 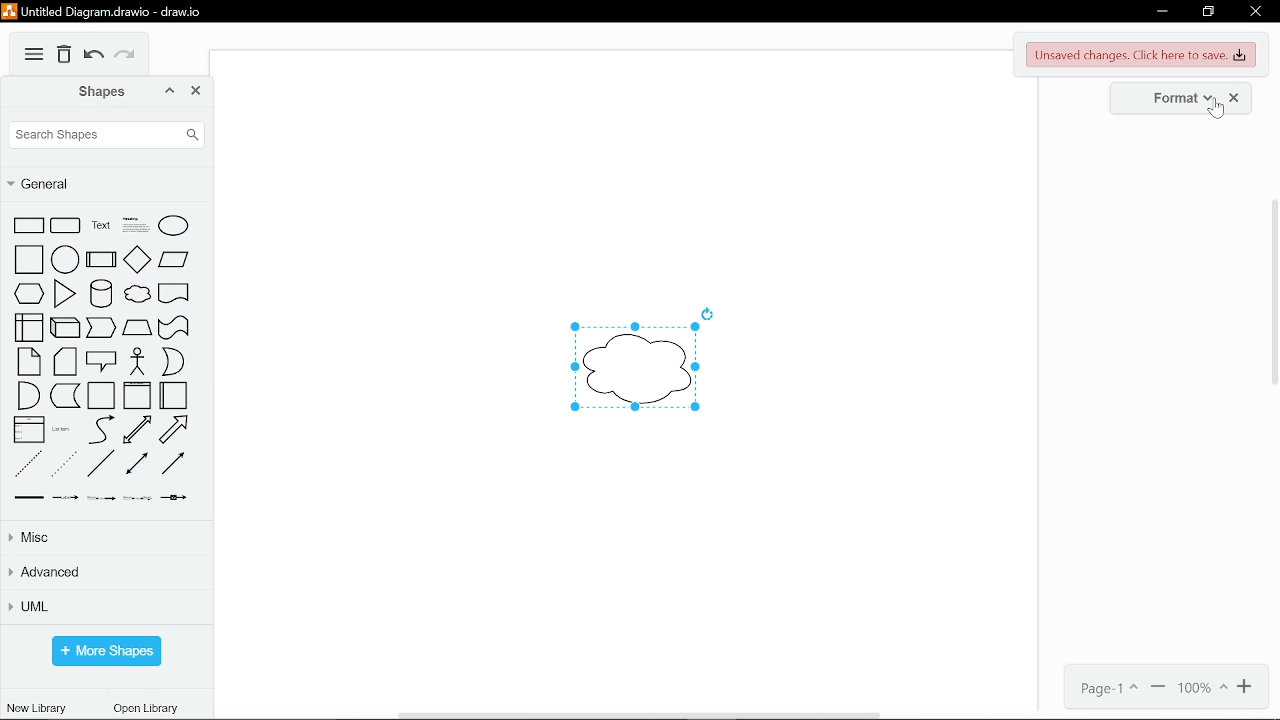 What do you see at coordinates (138, 261) in the screenshot?
I see `diamond` at bounding box center [138, 261].